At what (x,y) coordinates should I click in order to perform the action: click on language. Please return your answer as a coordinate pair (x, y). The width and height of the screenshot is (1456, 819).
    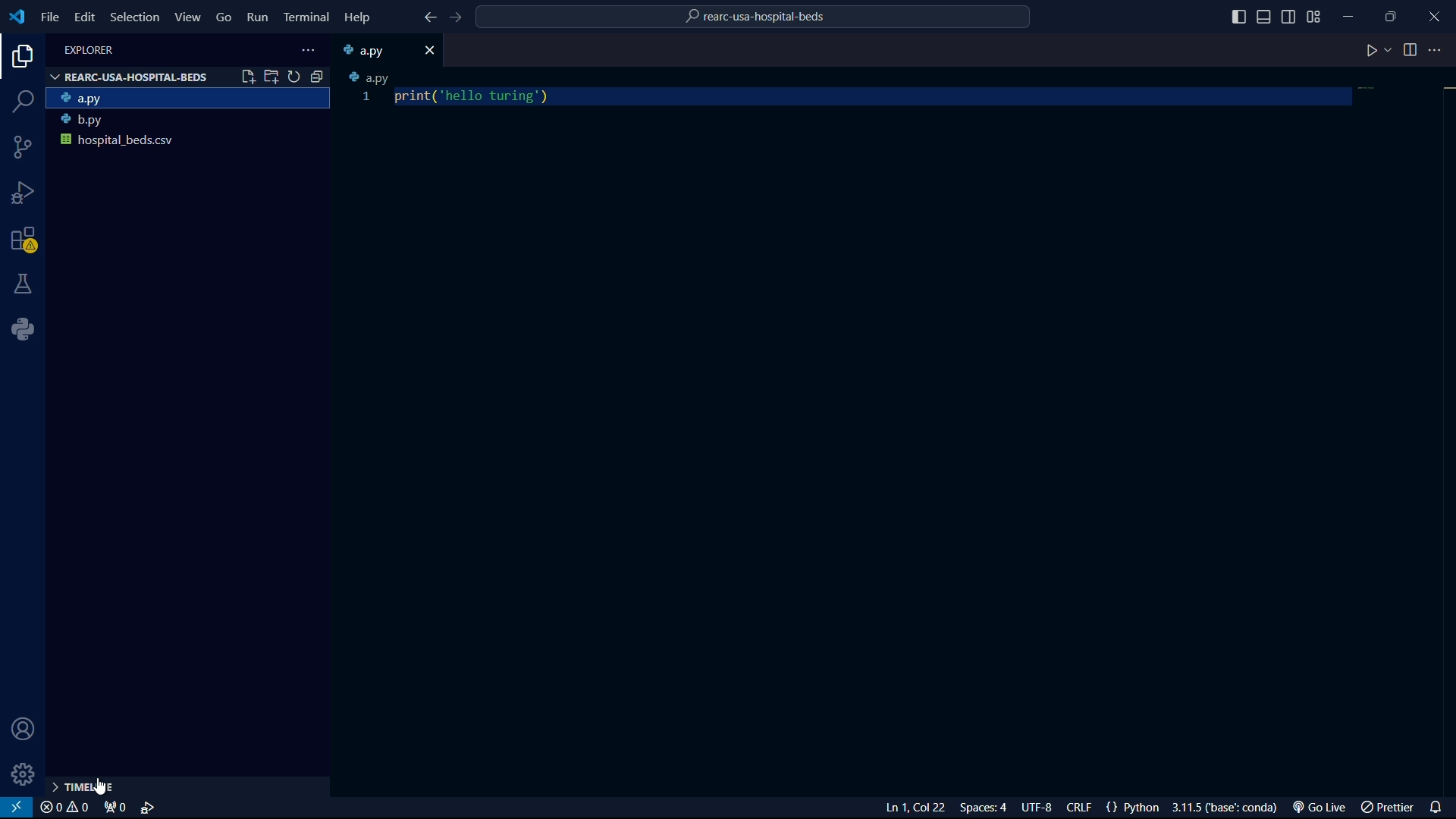
    Looking at the image, I should click on (1129, 807).